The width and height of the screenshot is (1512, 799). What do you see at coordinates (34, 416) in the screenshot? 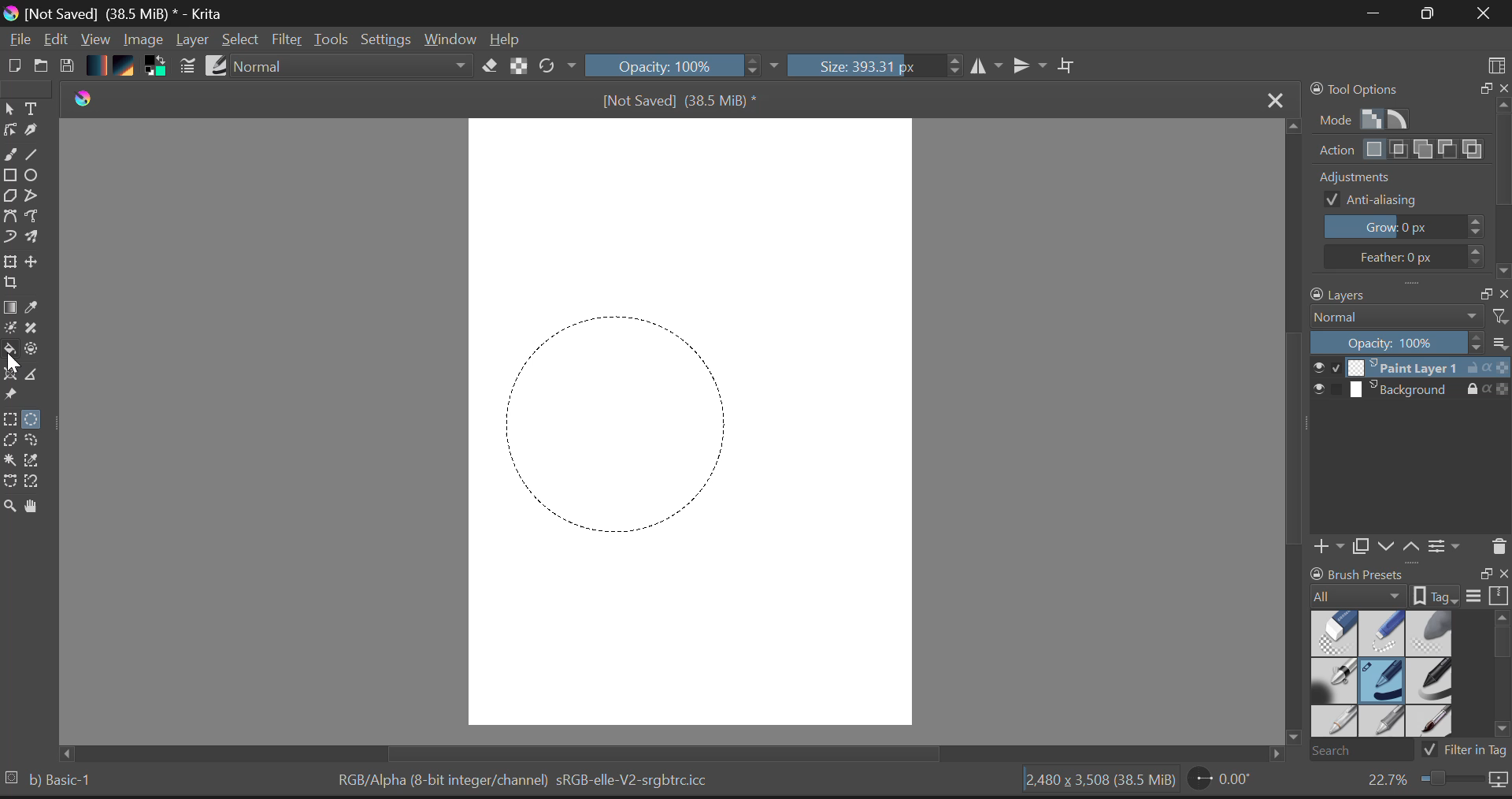
I see `Circular Selection Selected` at bounding box center [34, 416].